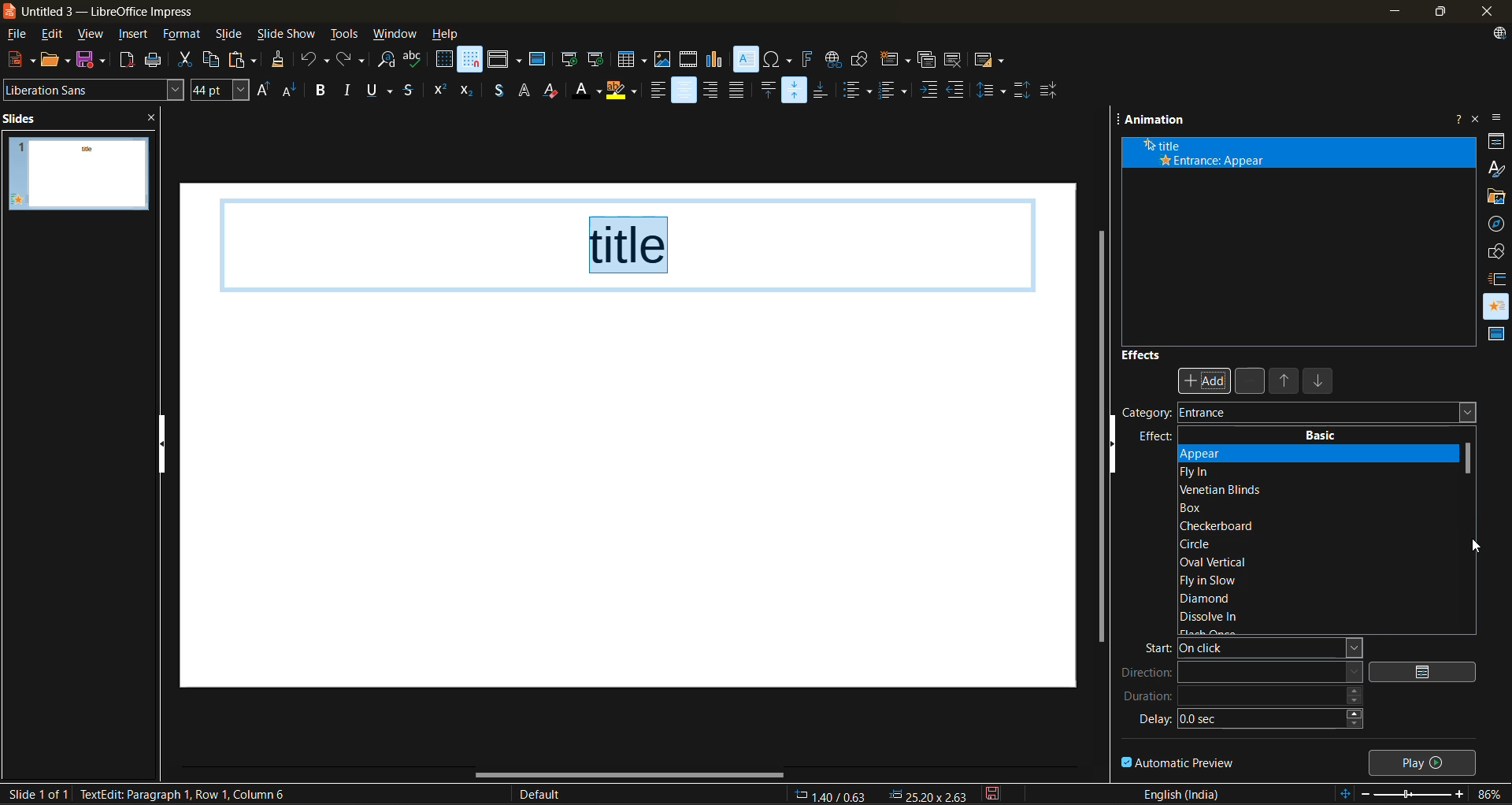 This screenshot has width=1512, height=805. What do you see at coordinates (549, 796) in the screenshot?
I see `slide master name` at bounding box center [549, 796].